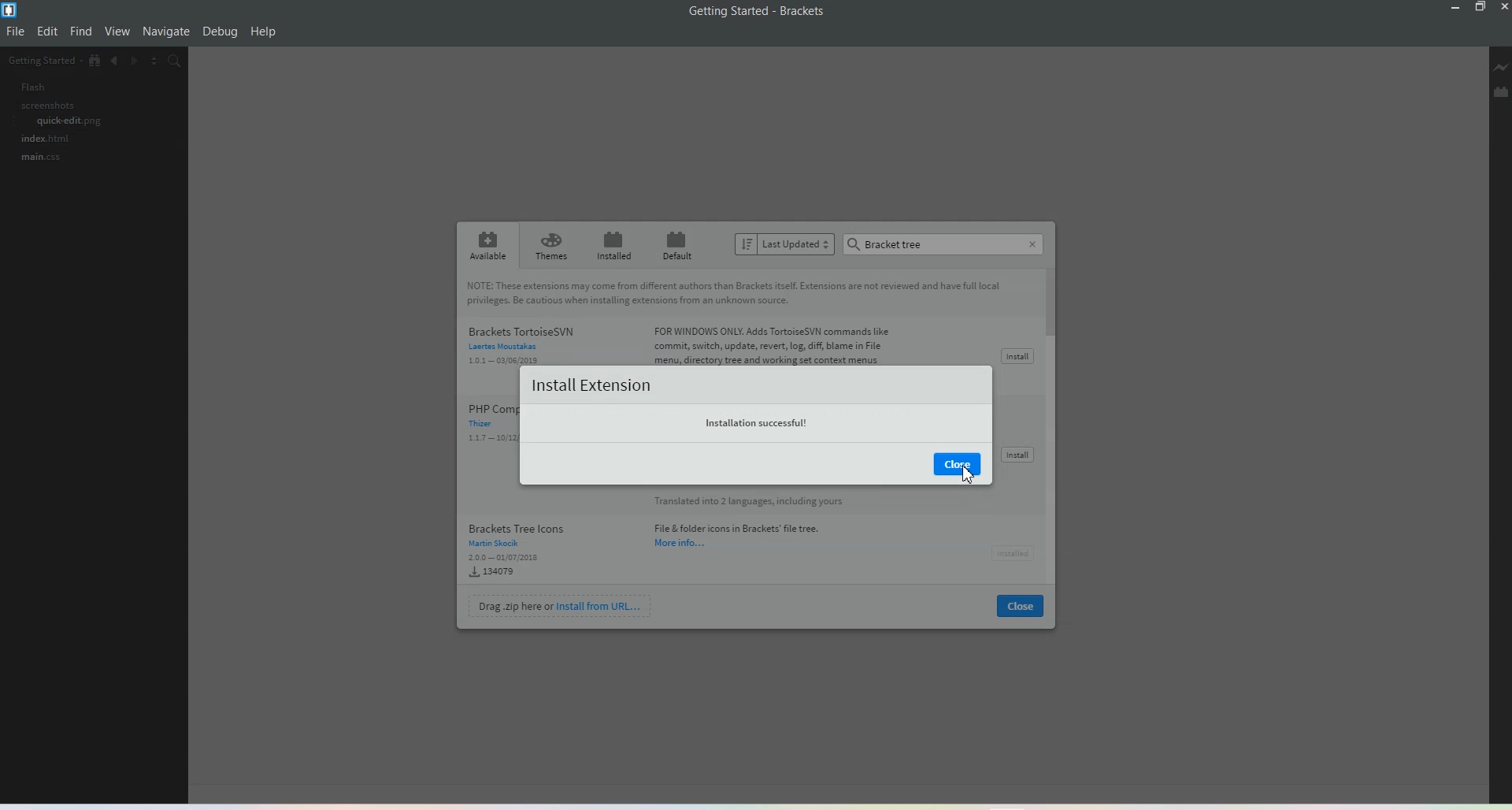  Describe the element at coordinates (679, 405) in the screenshot. I see `Text` at that location.